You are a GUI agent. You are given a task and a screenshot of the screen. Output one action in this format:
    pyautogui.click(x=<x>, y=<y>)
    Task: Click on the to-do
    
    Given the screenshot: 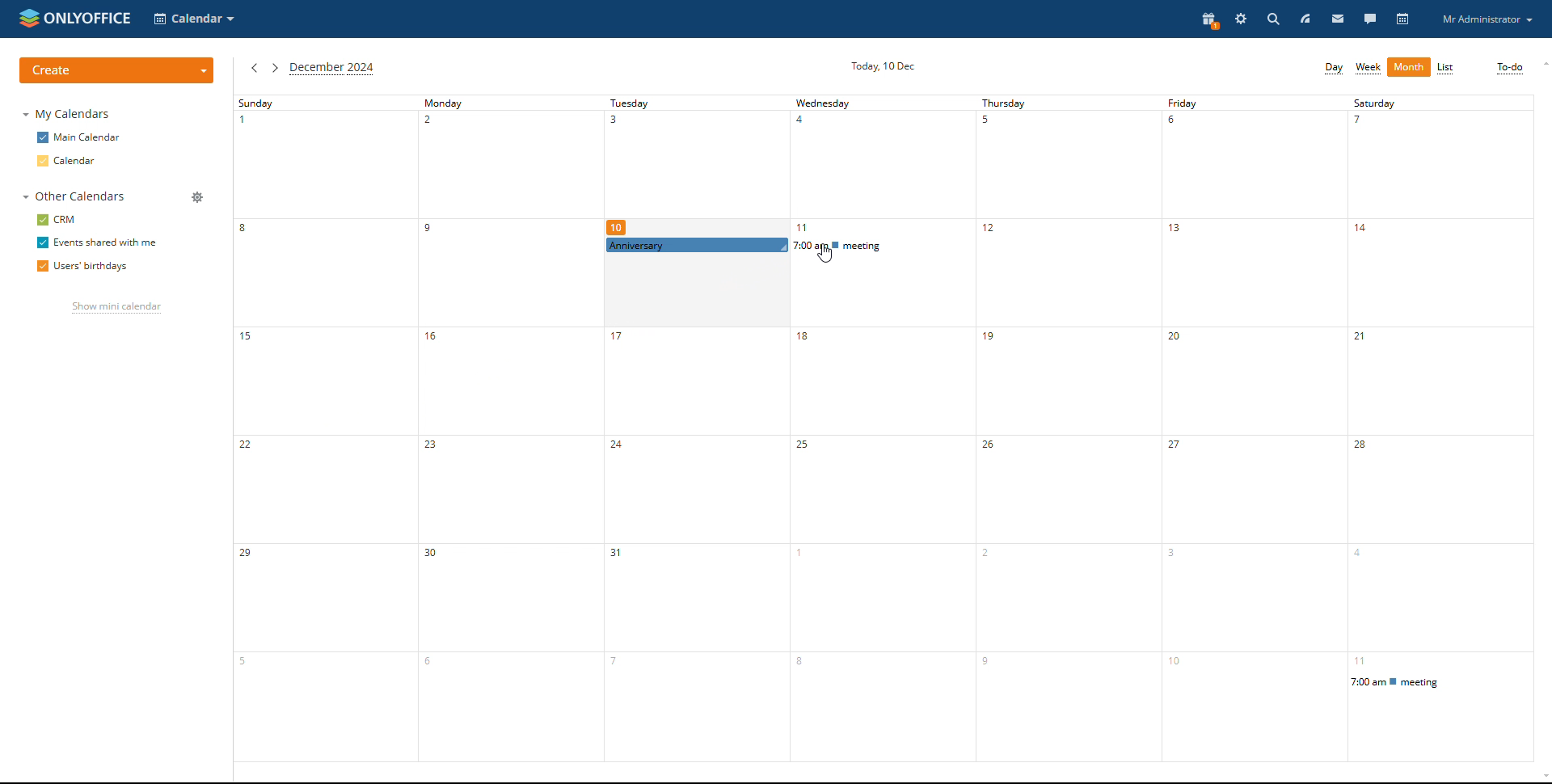 What is the action you would take?
    pyautogui.click(x=1508, y=68)
    